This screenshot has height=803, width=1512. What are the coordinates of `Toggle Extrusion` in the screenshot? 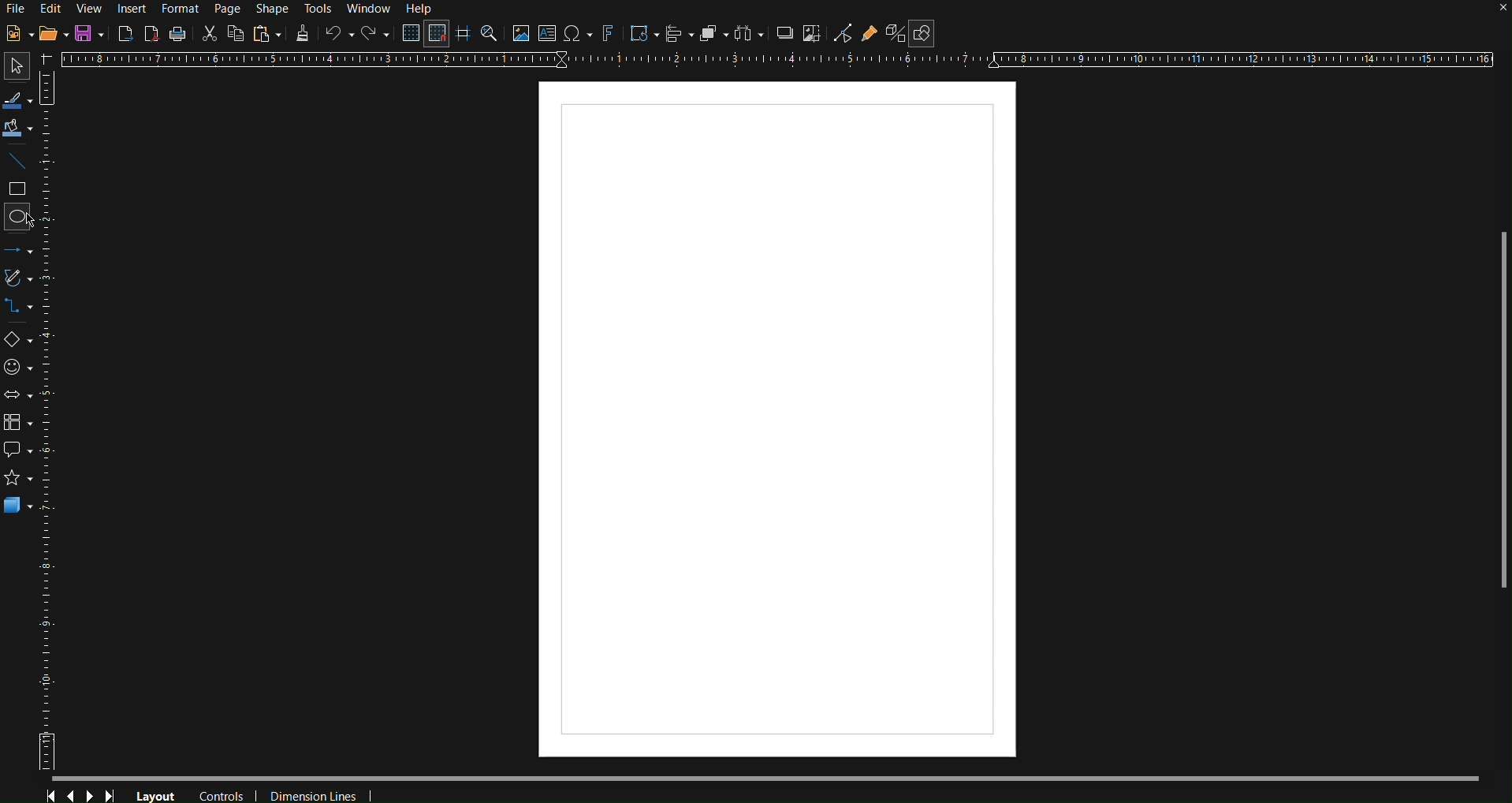 It's located at (893, 35).